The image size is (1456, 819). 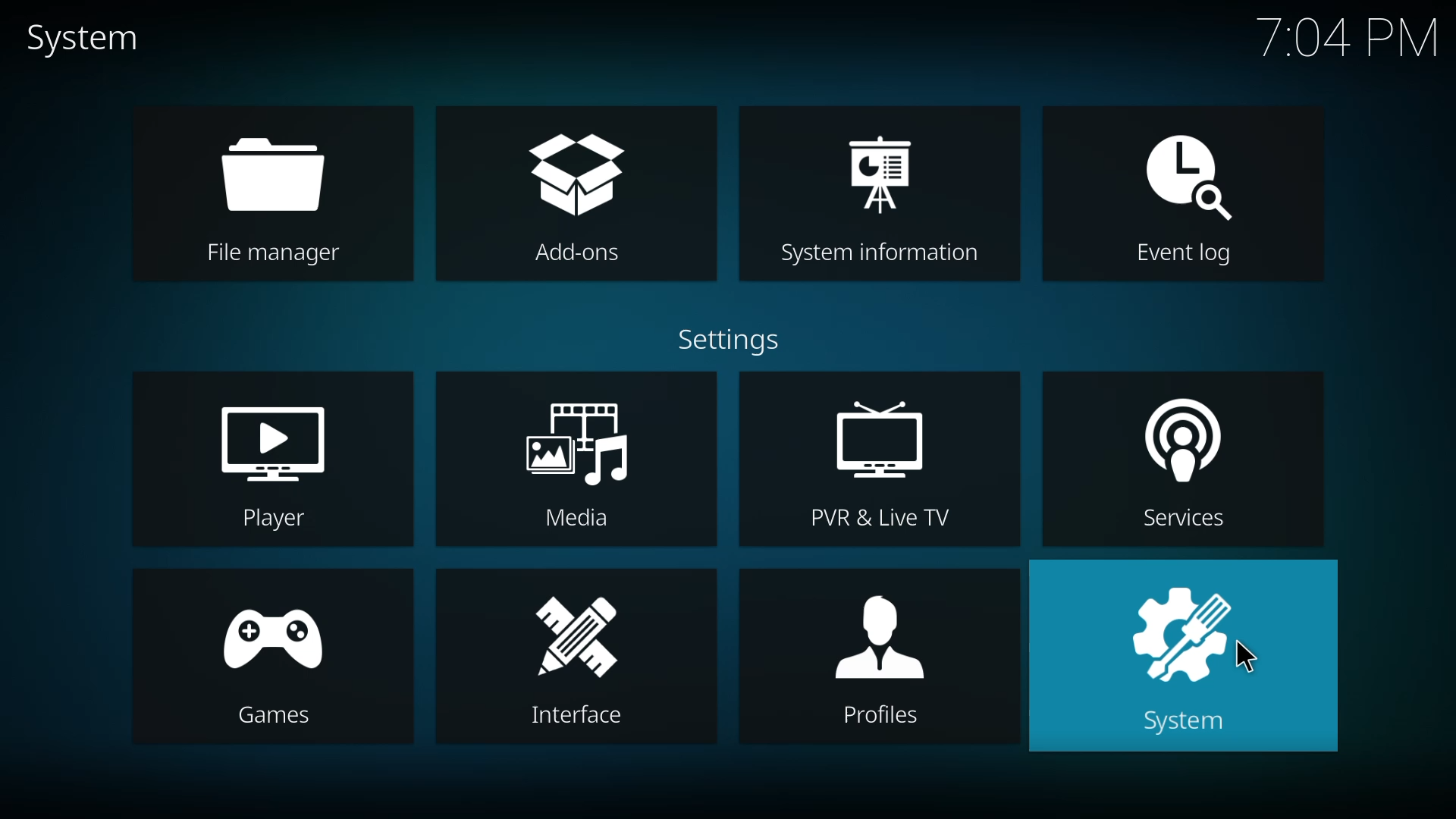 What do you see at coordinates (1245, 655) in the screenshot?
I see `cursor` at bounding box center [1245, 655].